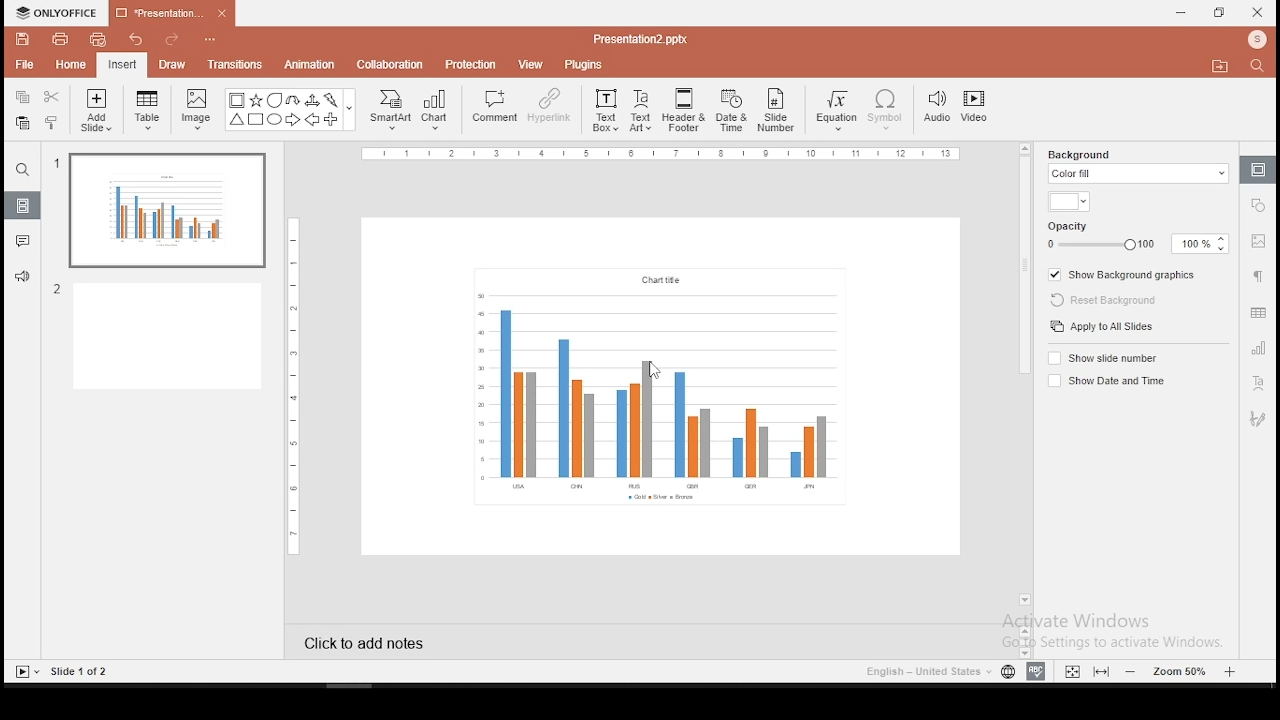  What do you see at coordinates (1035, 672) in the screenshot?
I see `icon buttons` at bounding box center [1035, 672].